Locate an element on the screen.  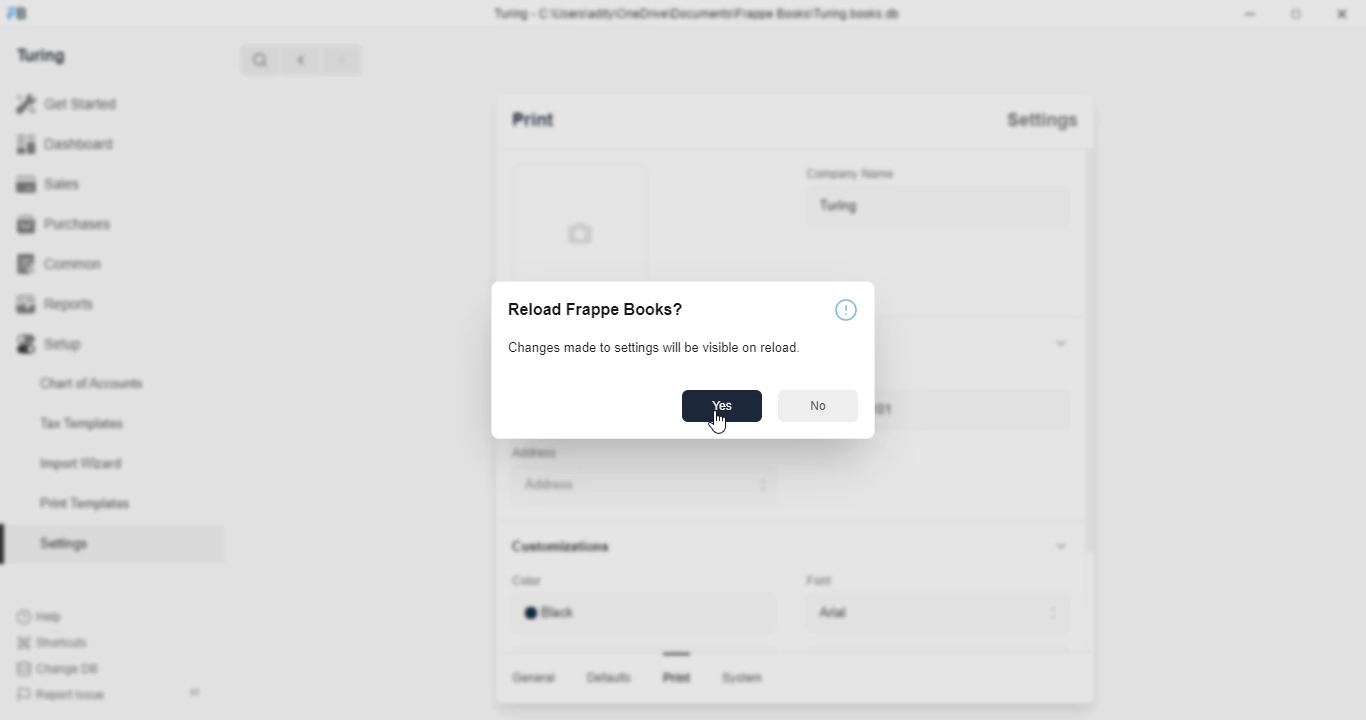
Import Wizard is located at coordinates (92, 463).